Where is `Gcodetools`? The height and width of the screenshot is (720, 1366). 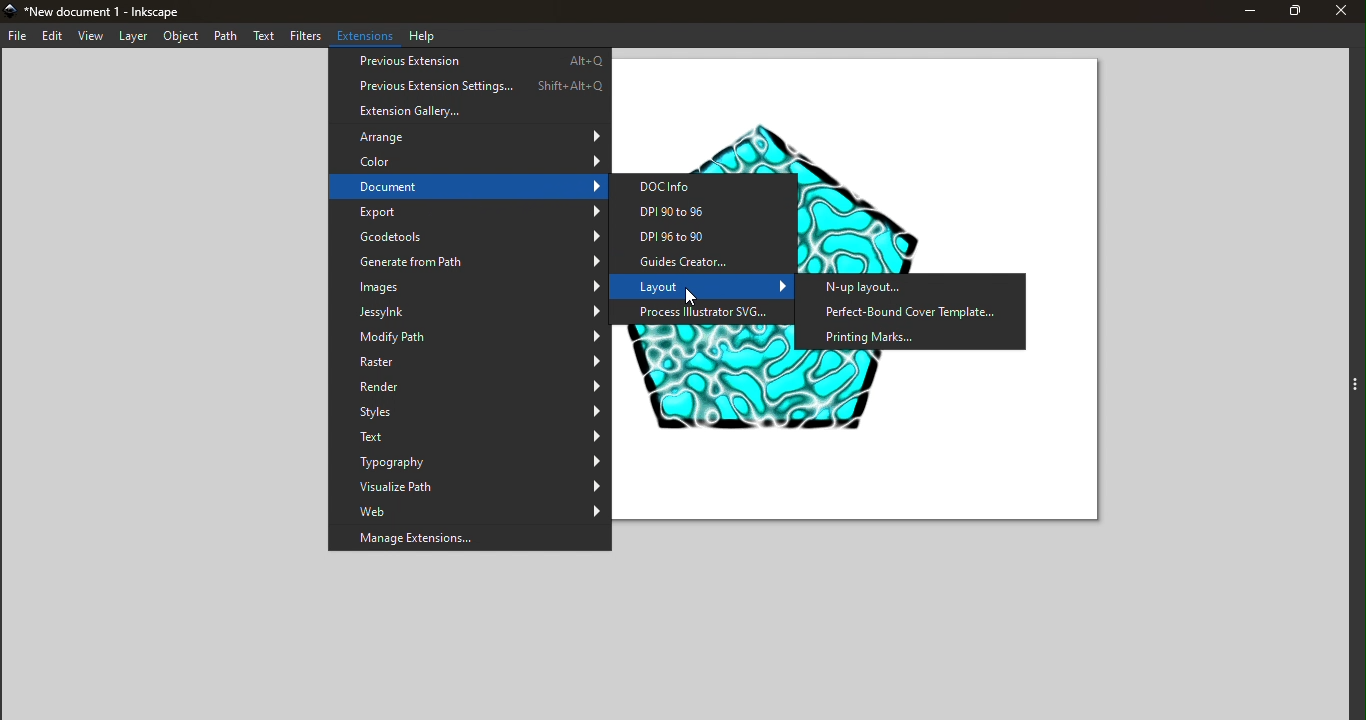 Gcodetools is located at coordinates (466, 238).